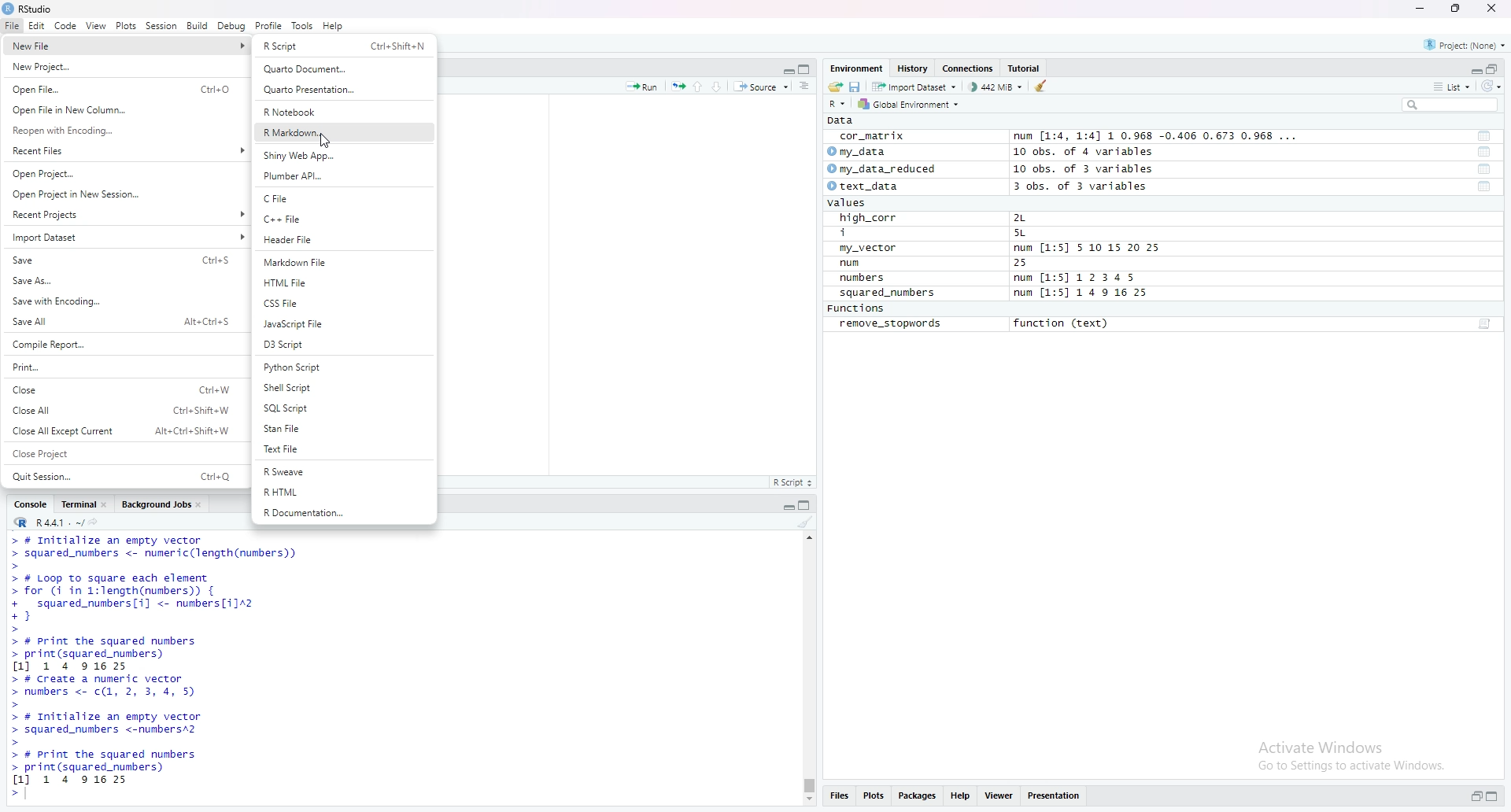 The height and width of the screenshot is (812, 1511). I want to click on num [1:4, 1:4] 1 0.968 -0.400 0.6/3 0.968 ..., so click(1157, 133).